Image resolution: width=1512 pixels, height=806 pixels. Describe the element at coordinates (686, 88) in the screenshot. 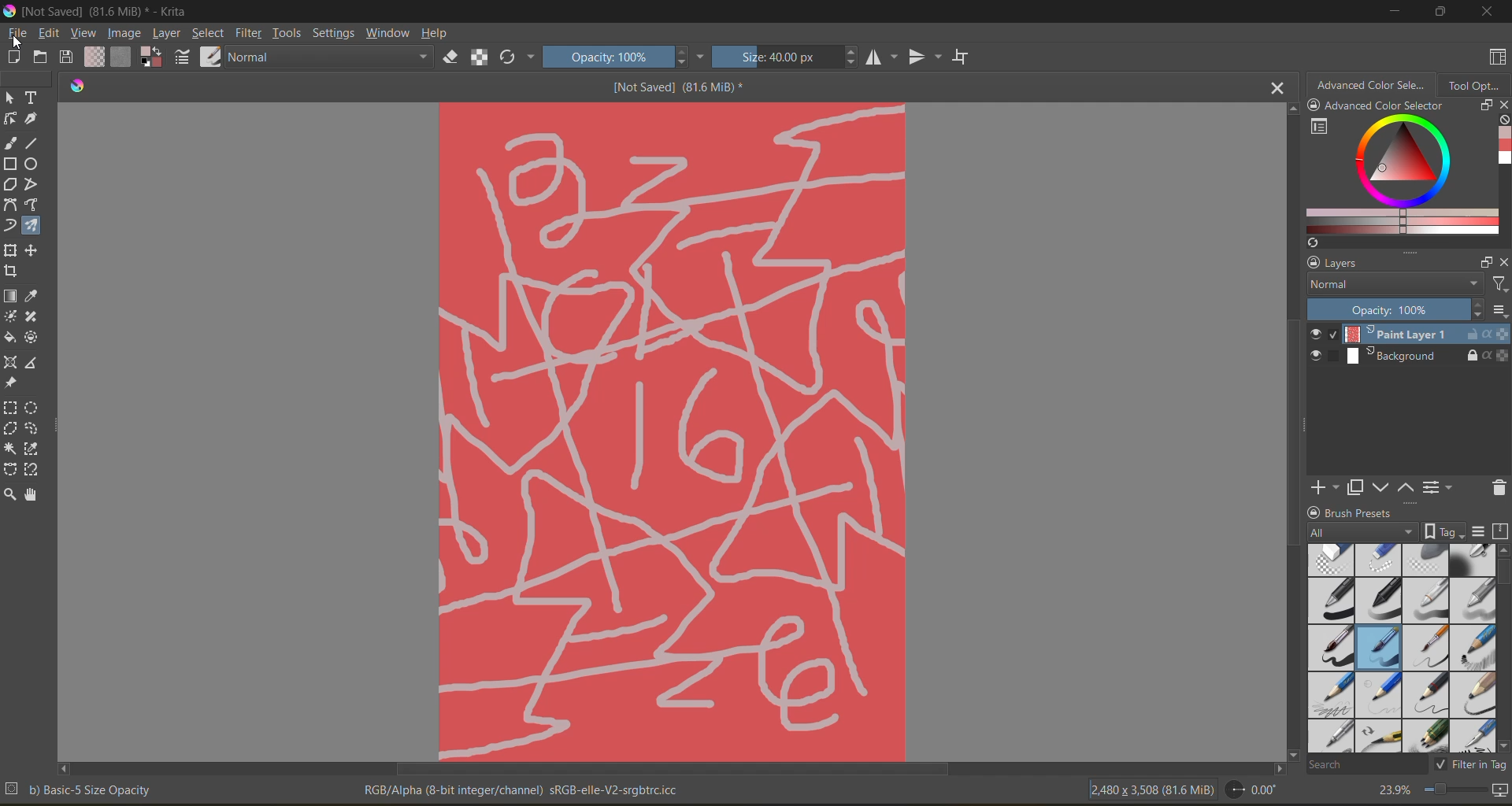

I see `[Not Saved] (81.6 MiB) *` at that location.